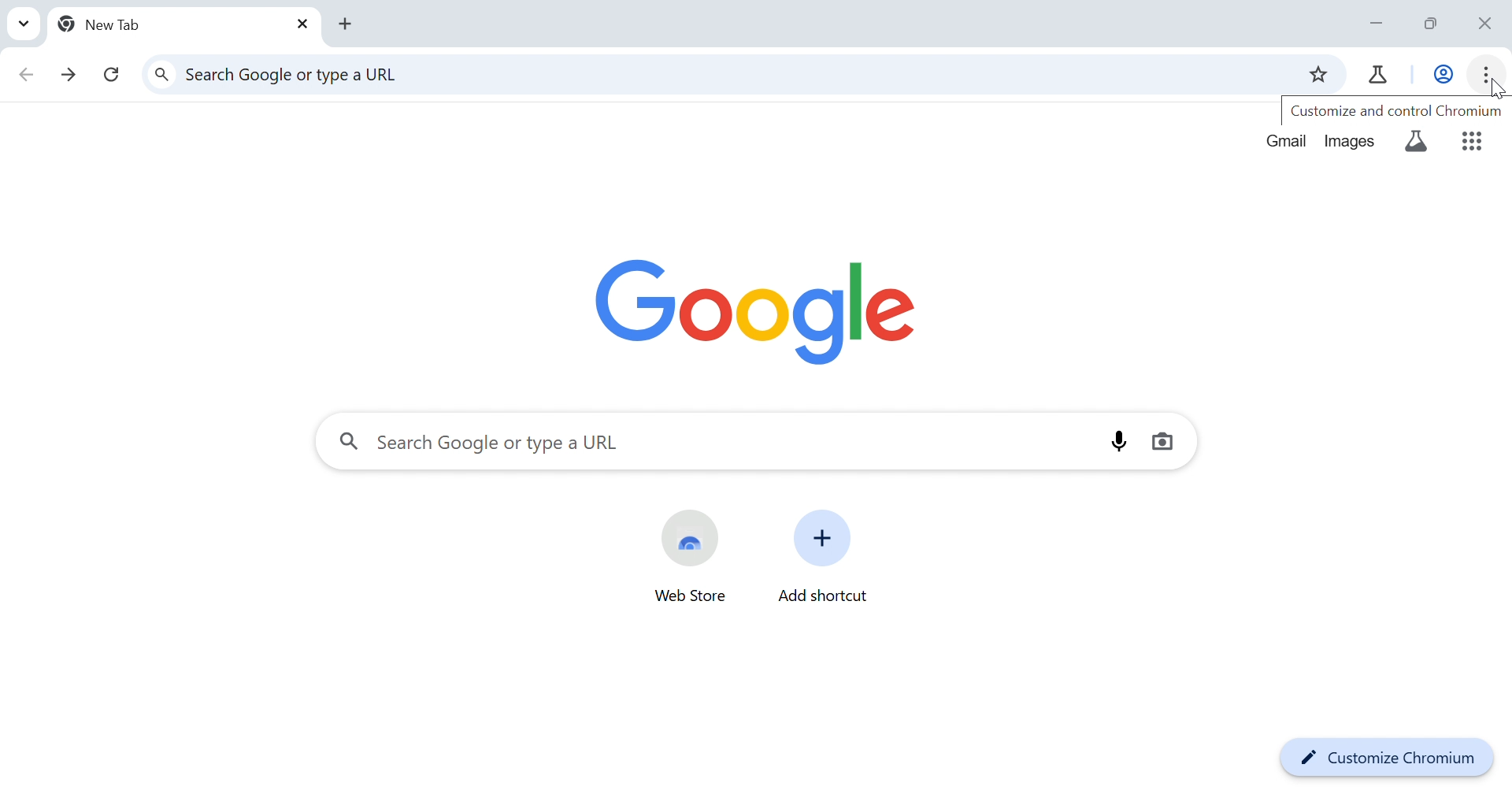 The height and width of the screenshot is (794, 1512). Describe the element at coordinates (112, 76) in the screenshot. I see `Refresh` at that location.